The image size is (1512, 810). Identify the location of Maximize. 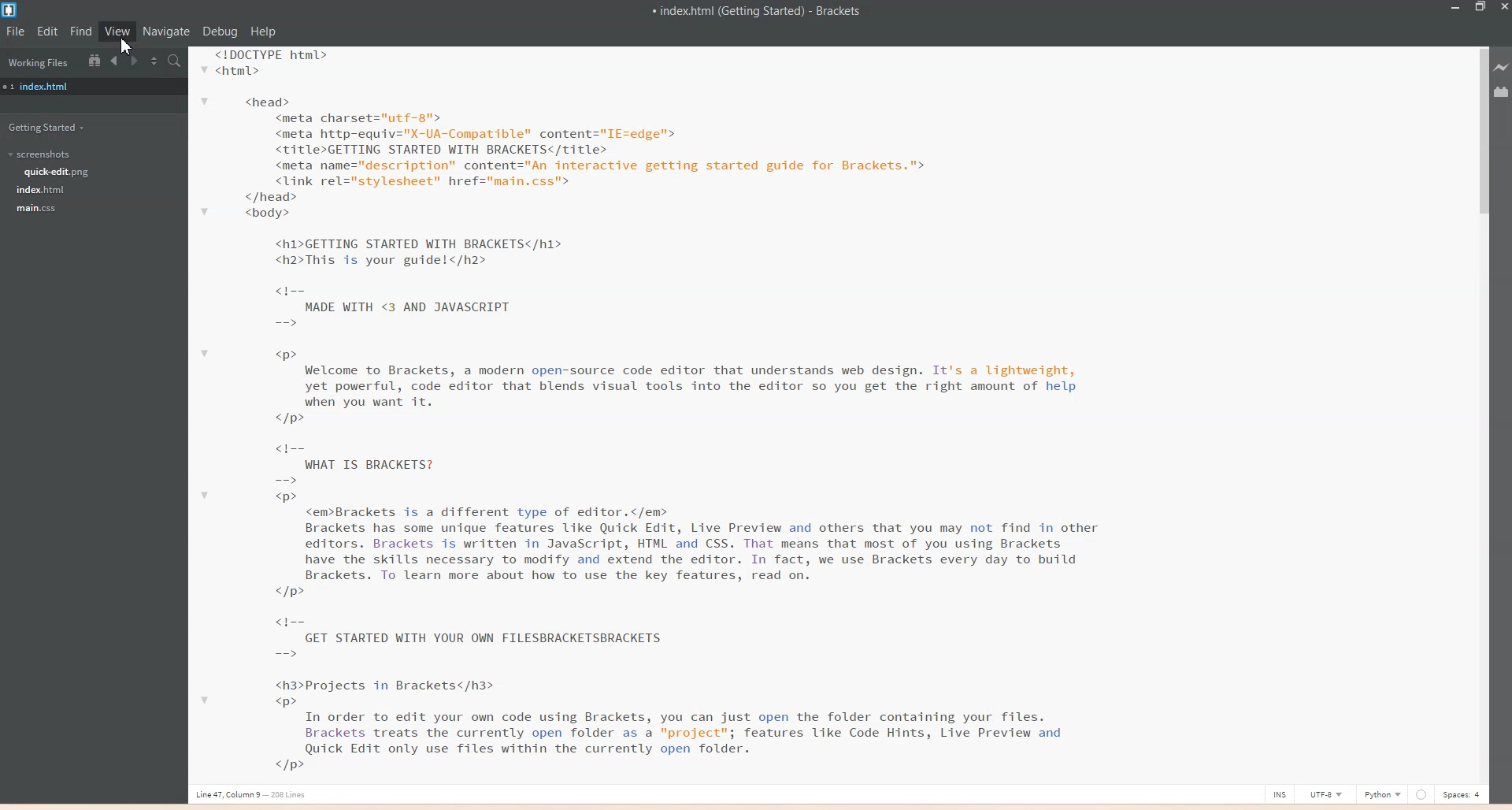
(1480, 9).